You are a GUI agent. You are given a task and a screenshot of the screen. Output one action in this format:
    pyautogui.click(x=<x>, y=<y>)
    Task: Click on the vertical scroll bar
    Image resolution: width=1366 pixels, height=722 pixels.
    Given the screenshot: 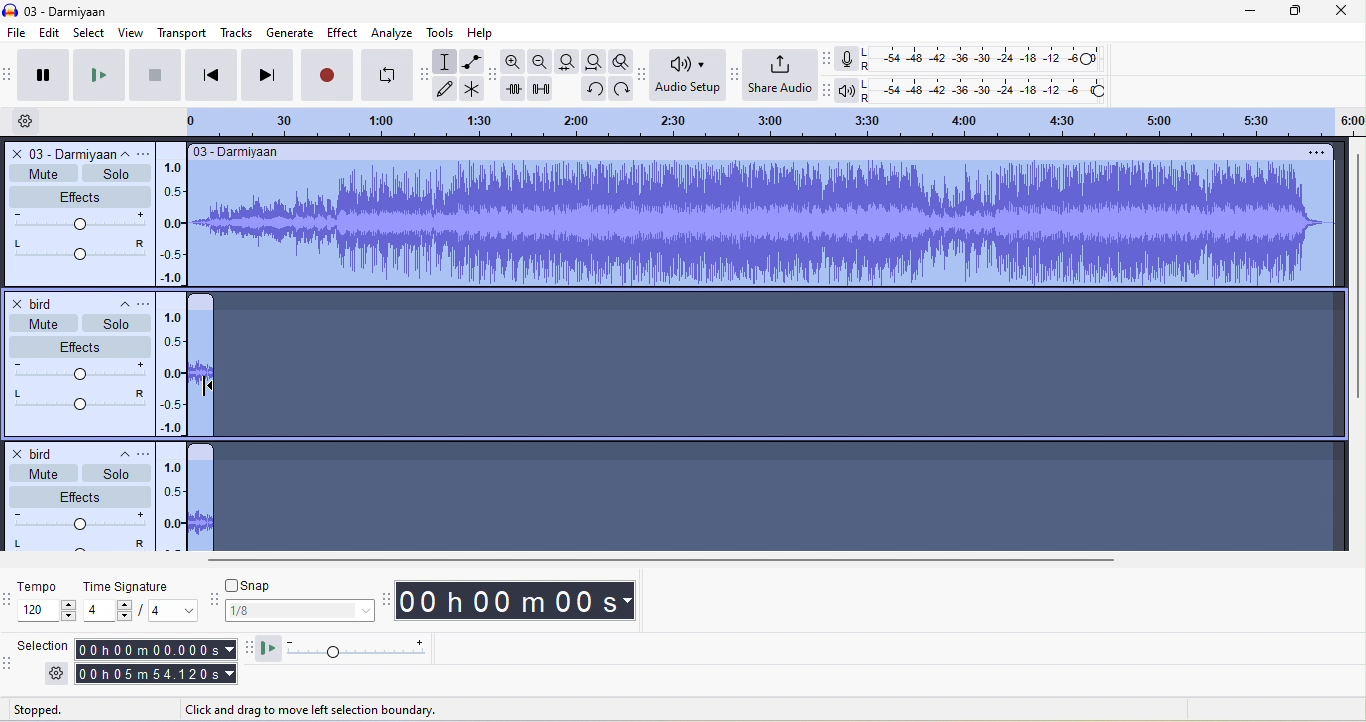 What is the action you would take?
    pyautogui.click(x=1355, y=280)
    